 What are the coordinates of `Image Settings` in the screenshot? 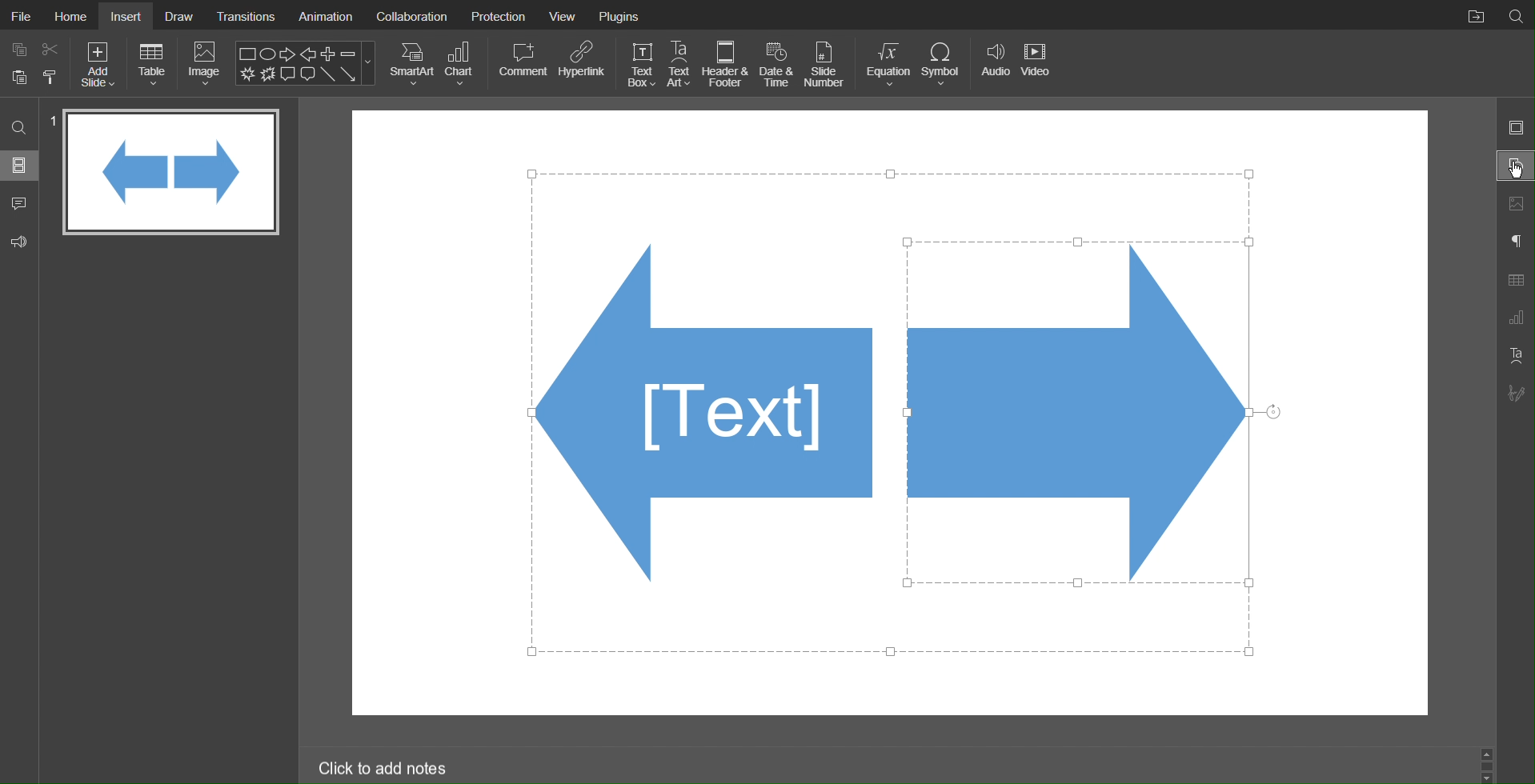 It's located at (1515, 205).